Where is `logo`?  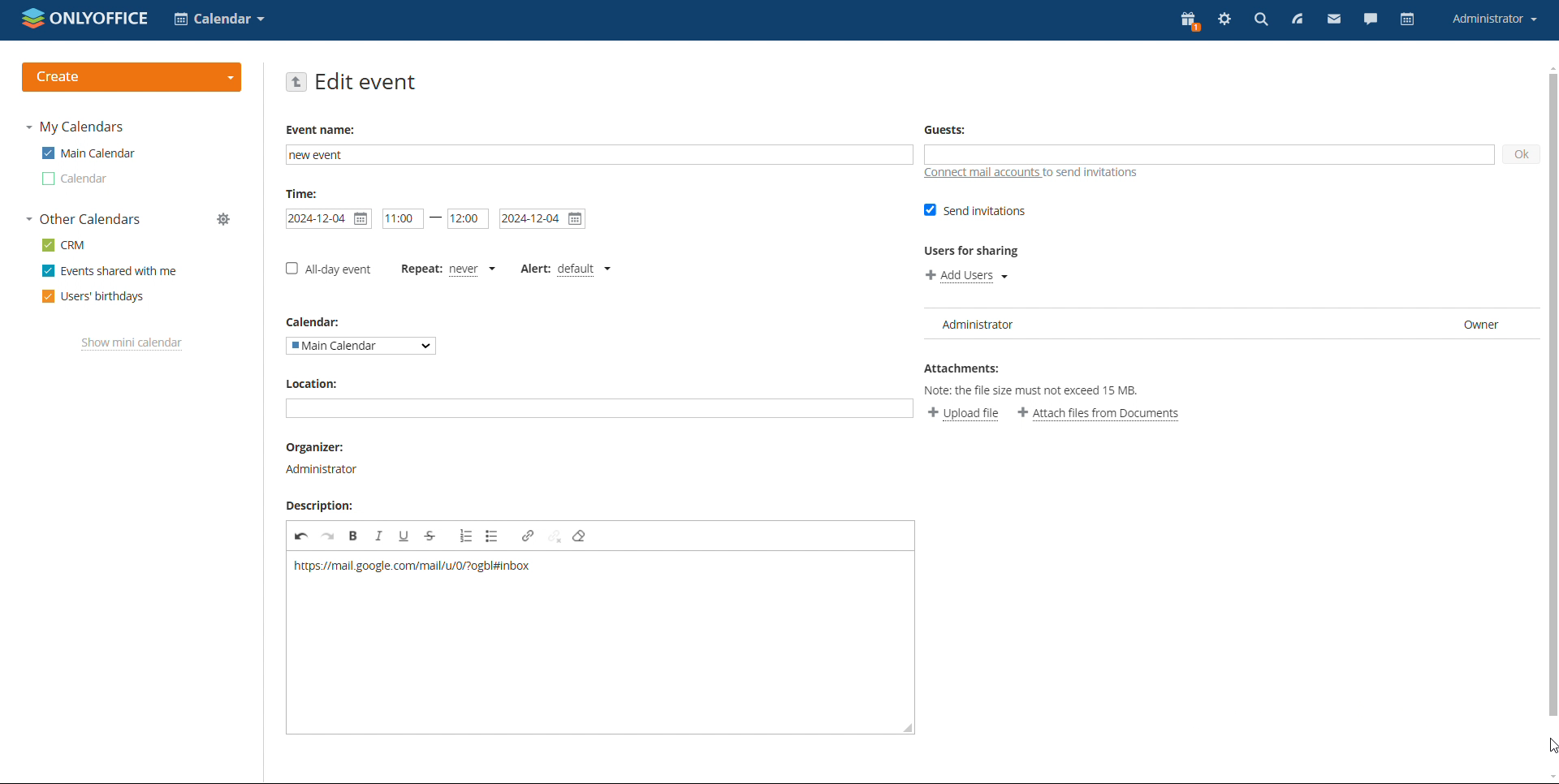 logo is located at coordinates (85, 19).